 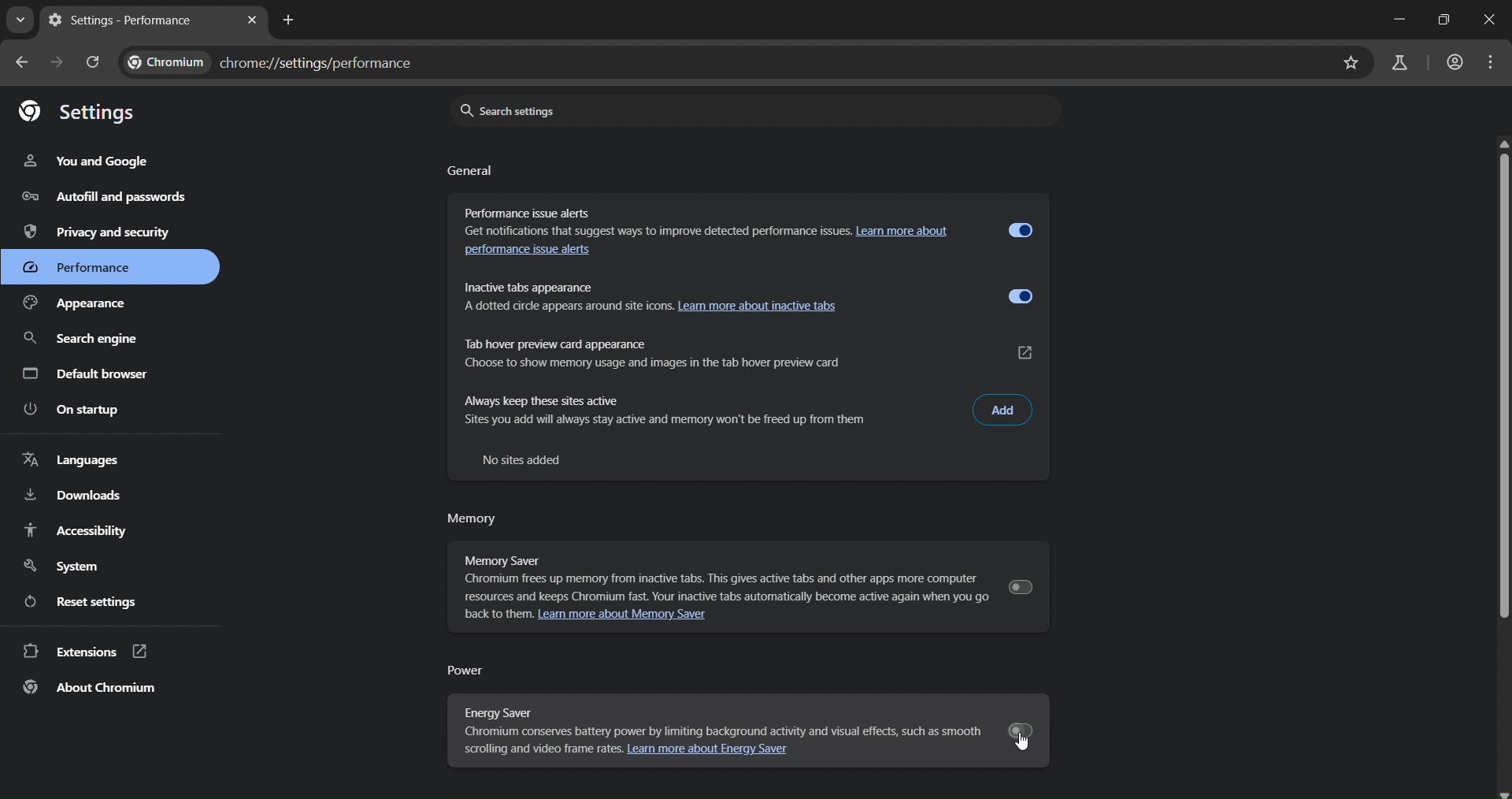 What do you see at coordinates (78, 111) in the screenshot?
I see `settings` at bounding box center [78, 111].